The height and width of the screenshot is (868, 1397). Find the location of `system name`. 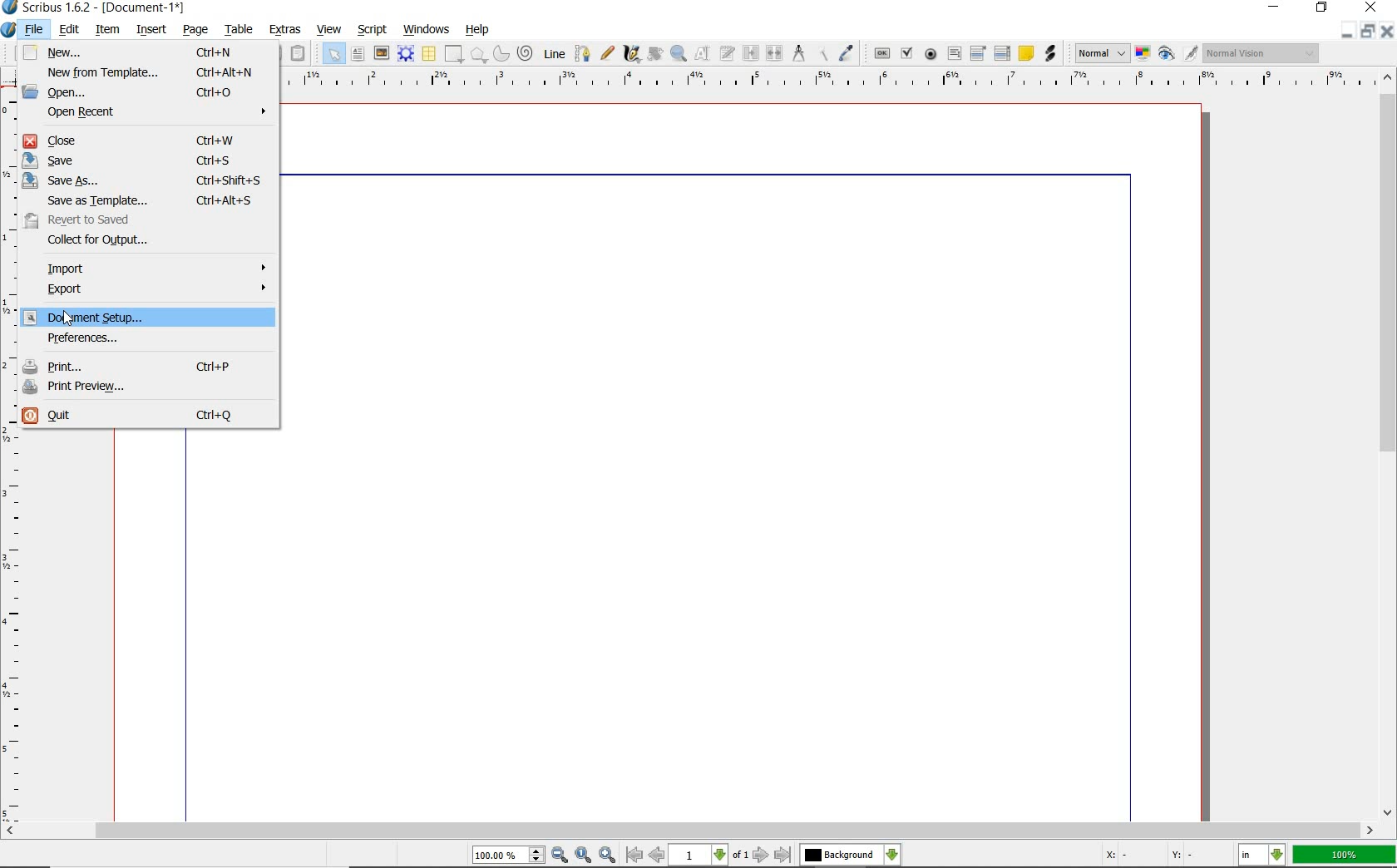

system name is located at coordinates (94, 8).